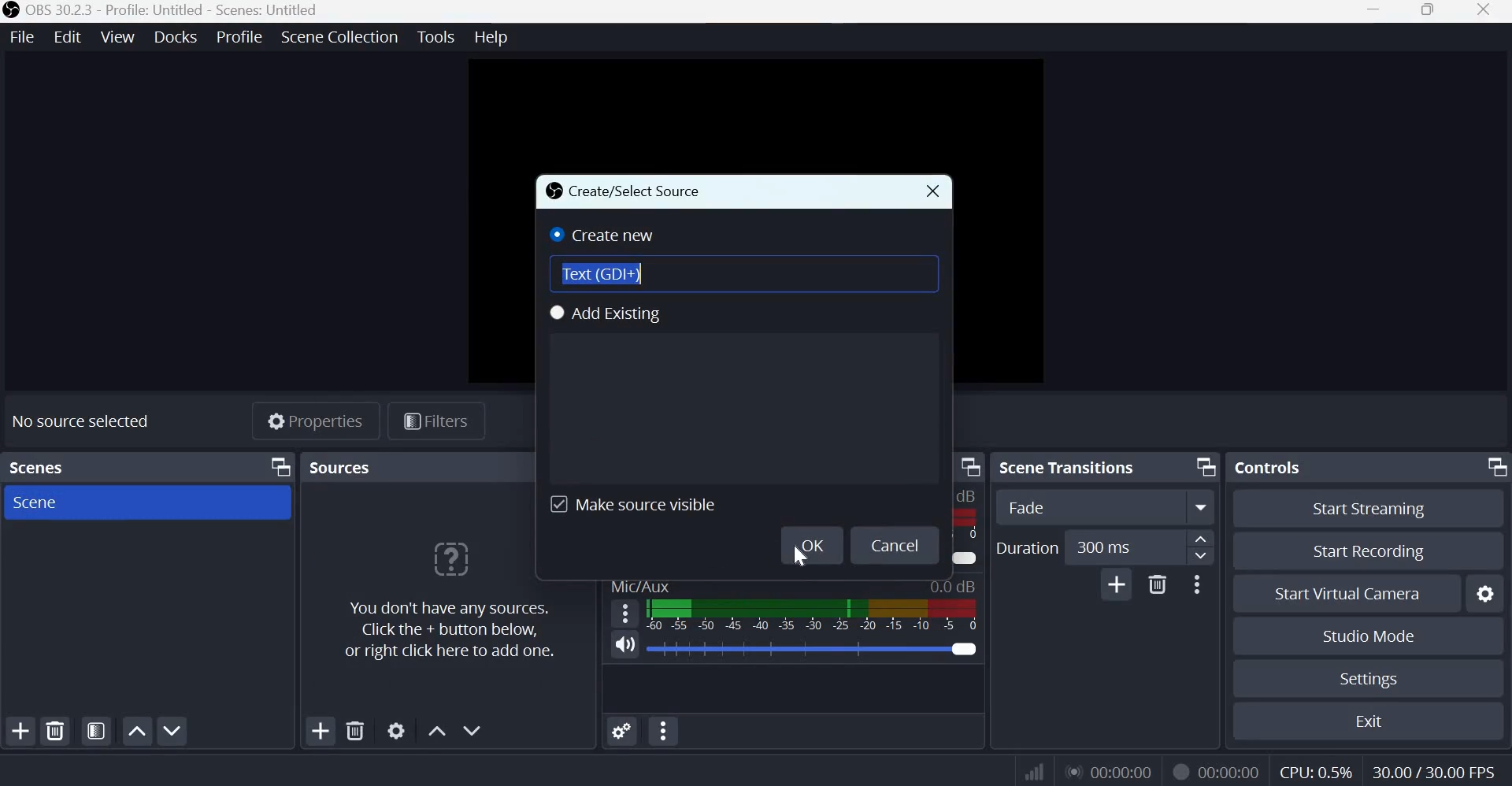 The height and width of the screenshot is (786, 1512). What do you see at coordinates (339, 37) in the screenshot?
I see `Scene Collection` at bounding box center [339, 37].